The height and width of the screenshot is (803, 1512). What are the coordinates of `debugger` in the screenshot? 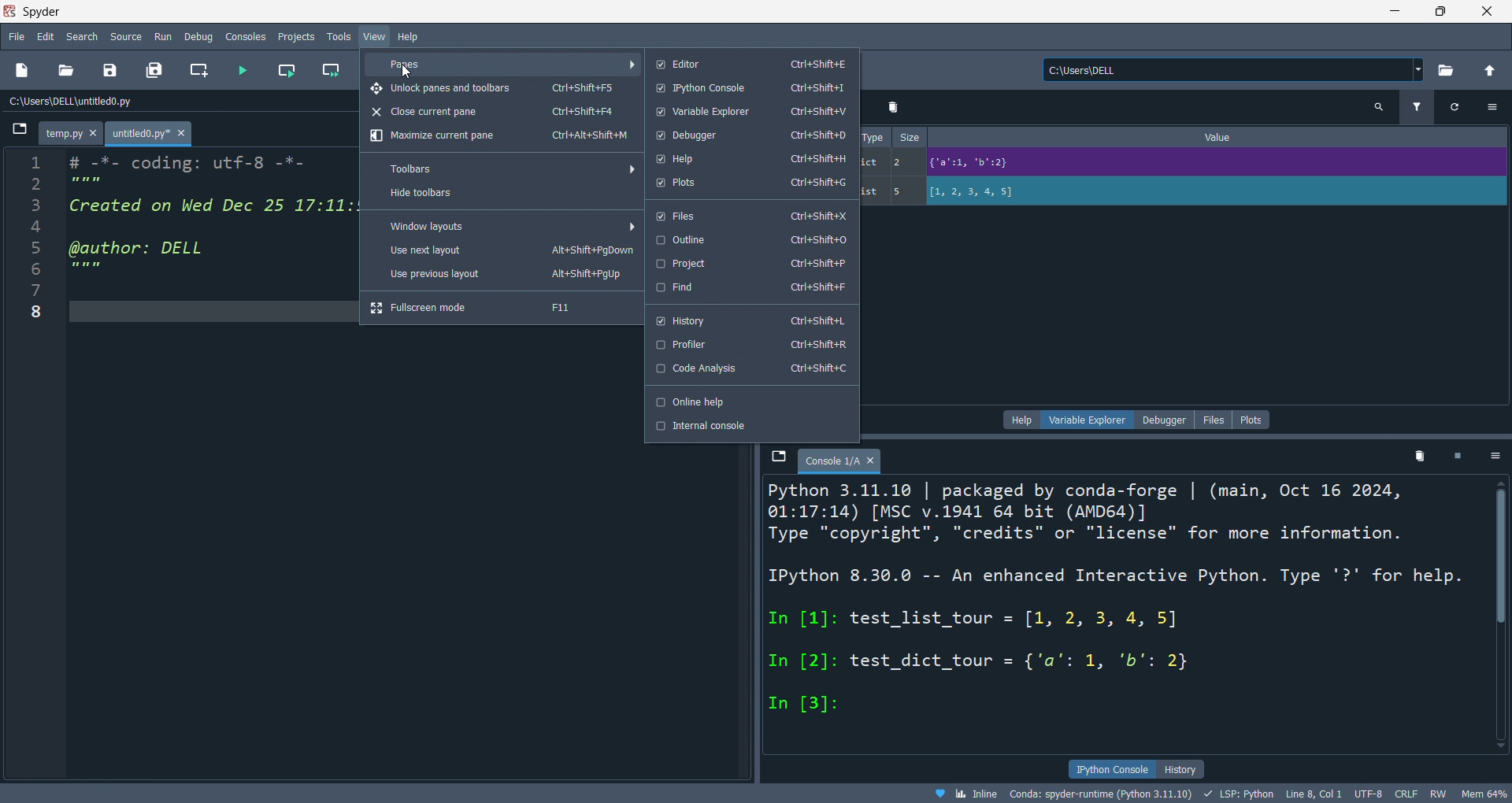 It's located at (1164, 420).